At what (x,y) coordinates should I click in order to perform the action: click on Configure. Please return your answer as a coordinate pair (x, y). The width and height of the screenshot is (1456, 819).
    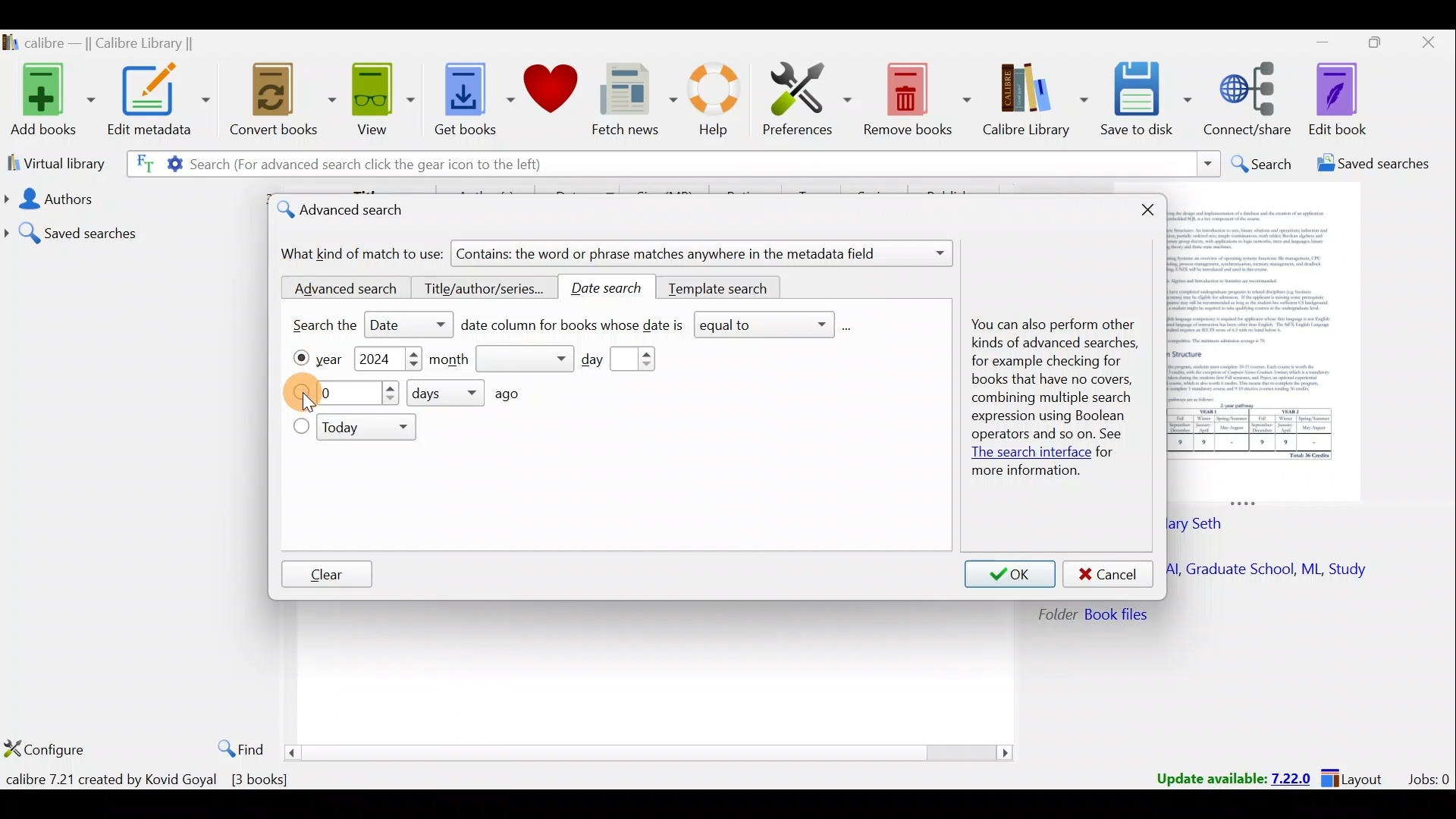
    Looking at the image, I should click on (45, 751).